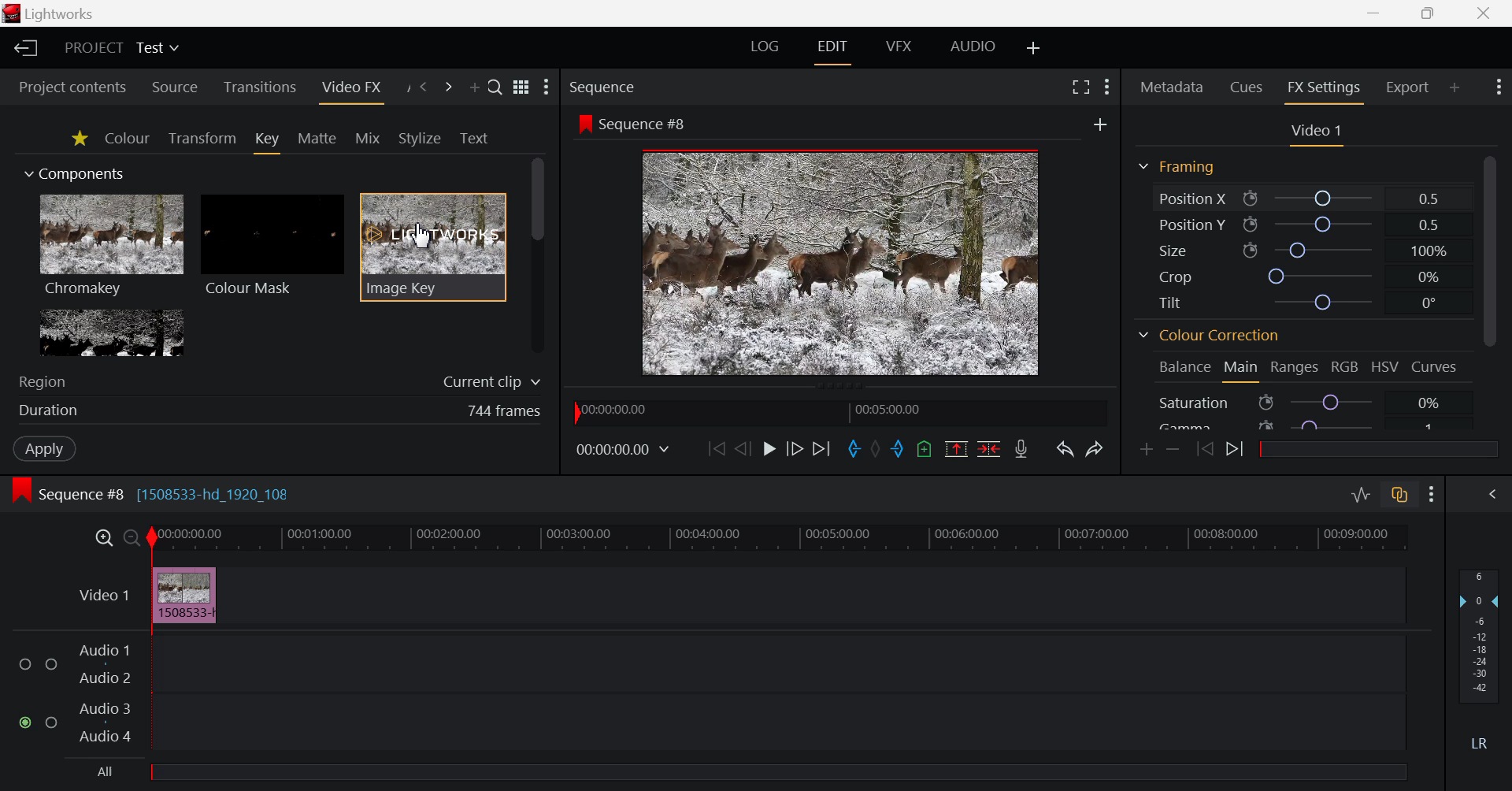 The width and height of the screenshot is (1512, 791). I want to click on crop, so click(1321, 277).